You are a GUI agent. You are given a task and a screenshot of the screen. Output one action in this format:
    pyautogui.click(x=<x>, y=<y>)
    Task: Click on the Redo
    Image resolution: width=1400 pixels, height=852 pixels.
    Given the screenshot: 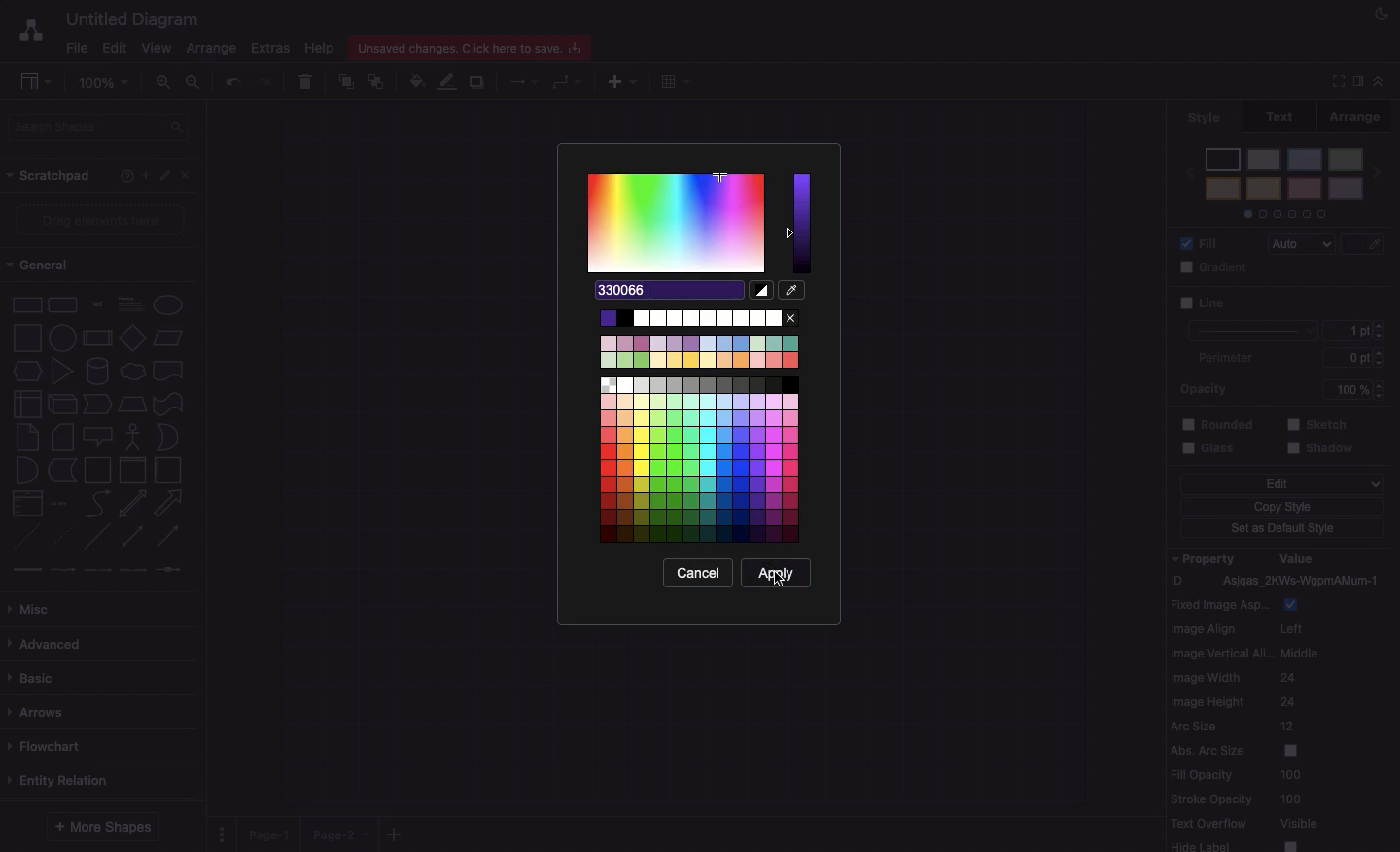 What is the action you would take?
    pyautogui.click(x=266, y=80)
    